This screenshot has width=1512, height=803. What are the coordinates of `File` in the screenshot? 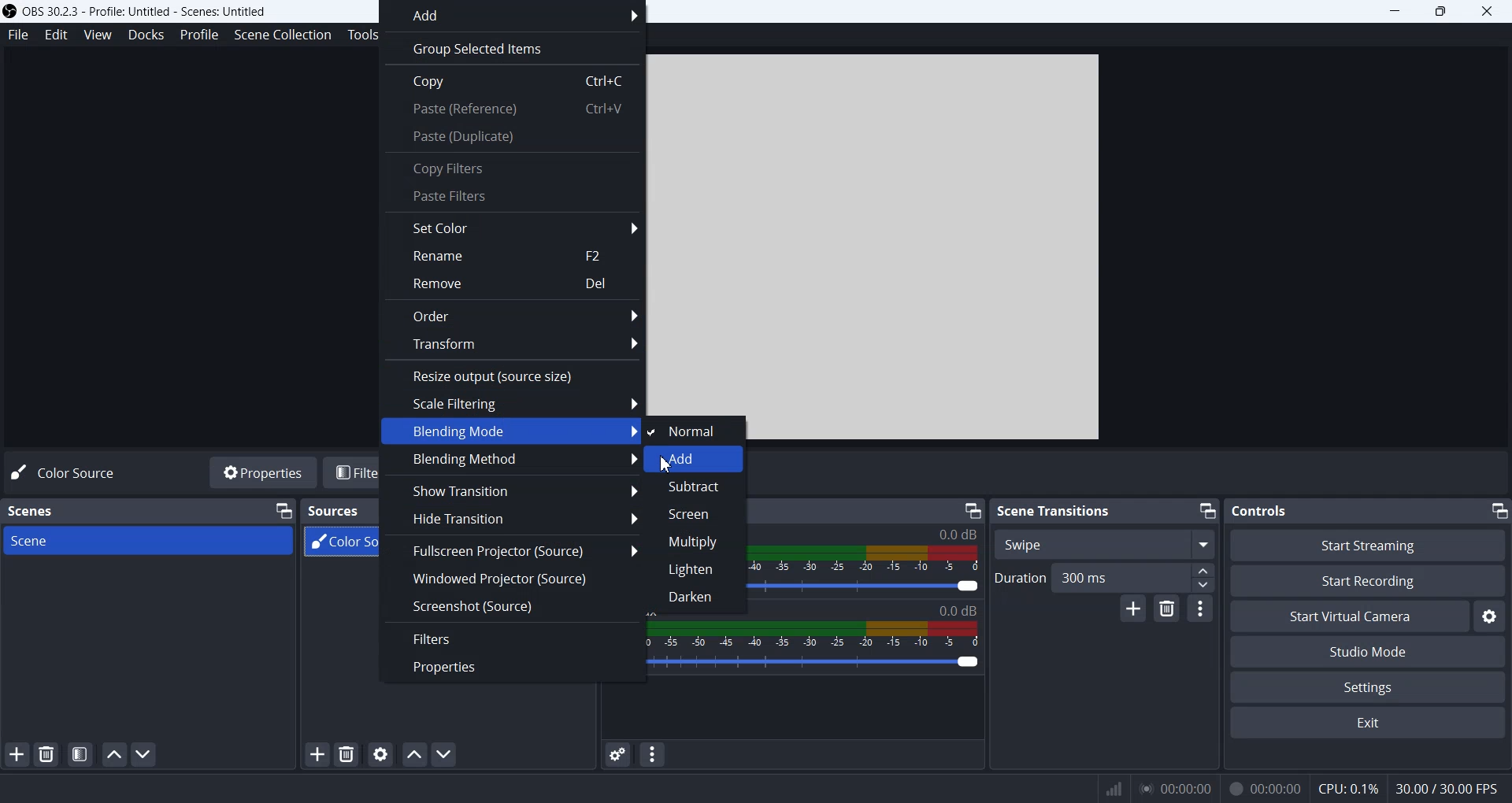 It's located at (17, 36).